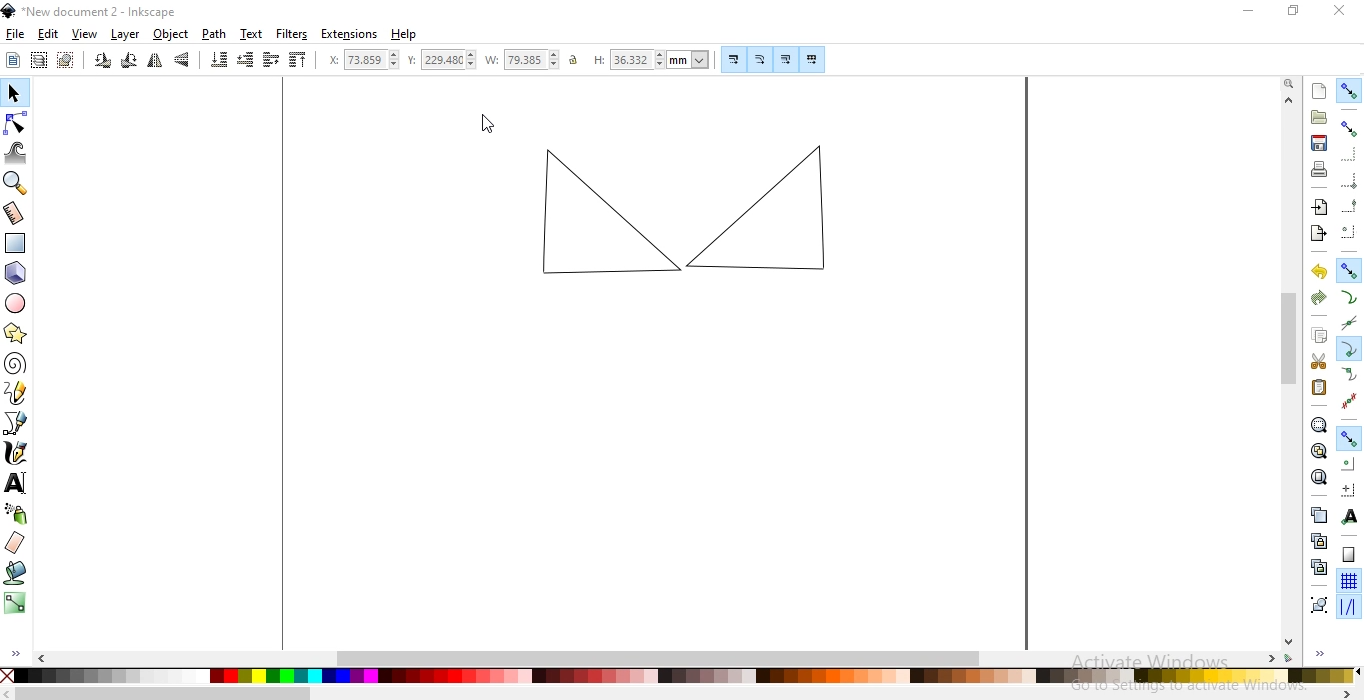  What do you see at coordinates (1350, 515) in the screenshot?
I see `snap text anchors and baselines` at bounding box center [1350, 515].